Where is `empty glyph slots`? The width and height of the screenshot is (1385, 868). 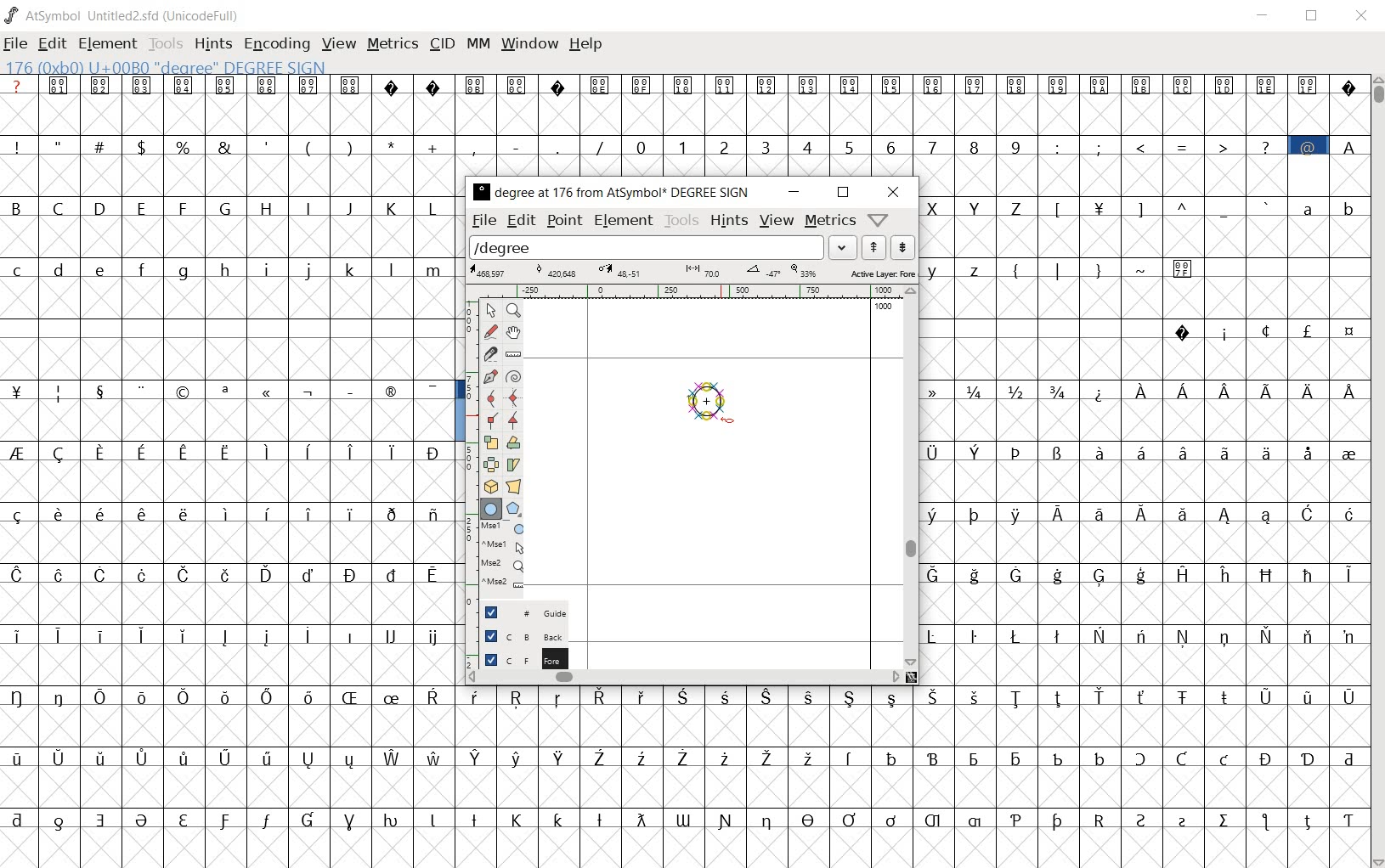
empty glyph slots is located at coordinates (1144, 542).